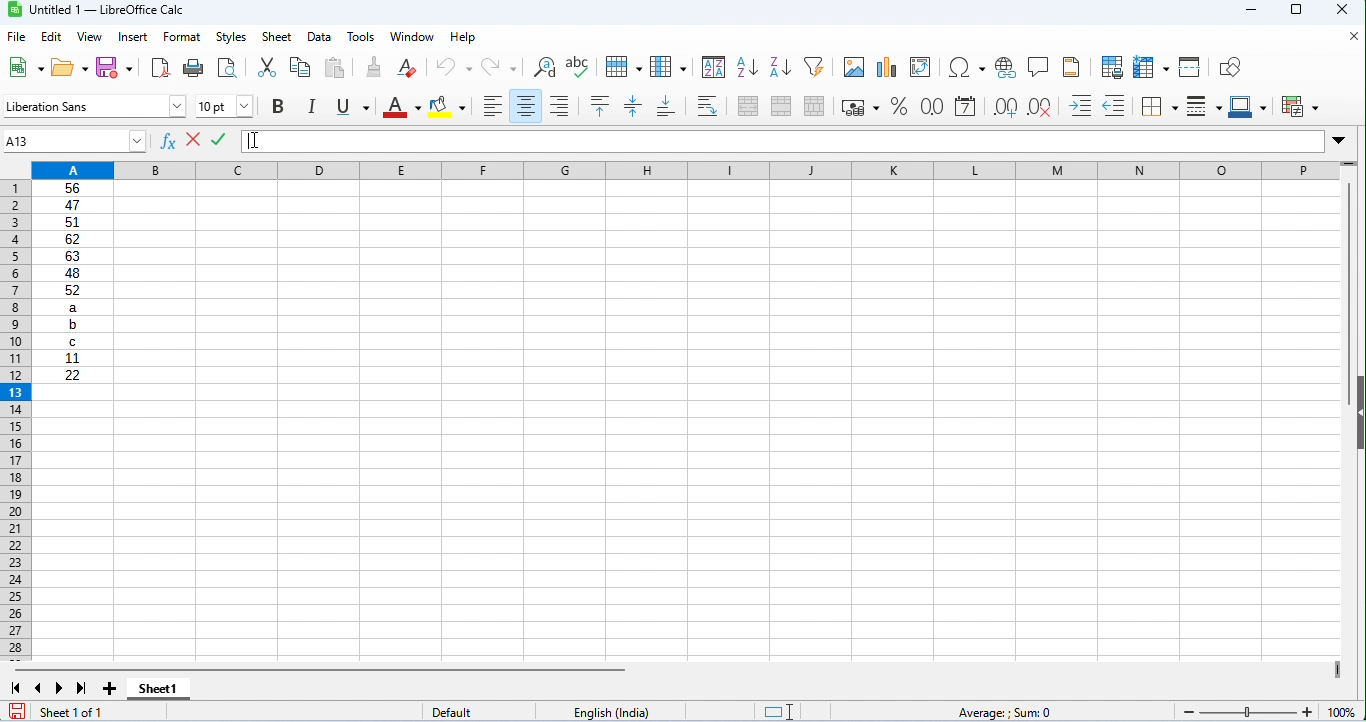 This screenshot has width=1366, height=722. I want to click on Cursor, so click(257, 140).